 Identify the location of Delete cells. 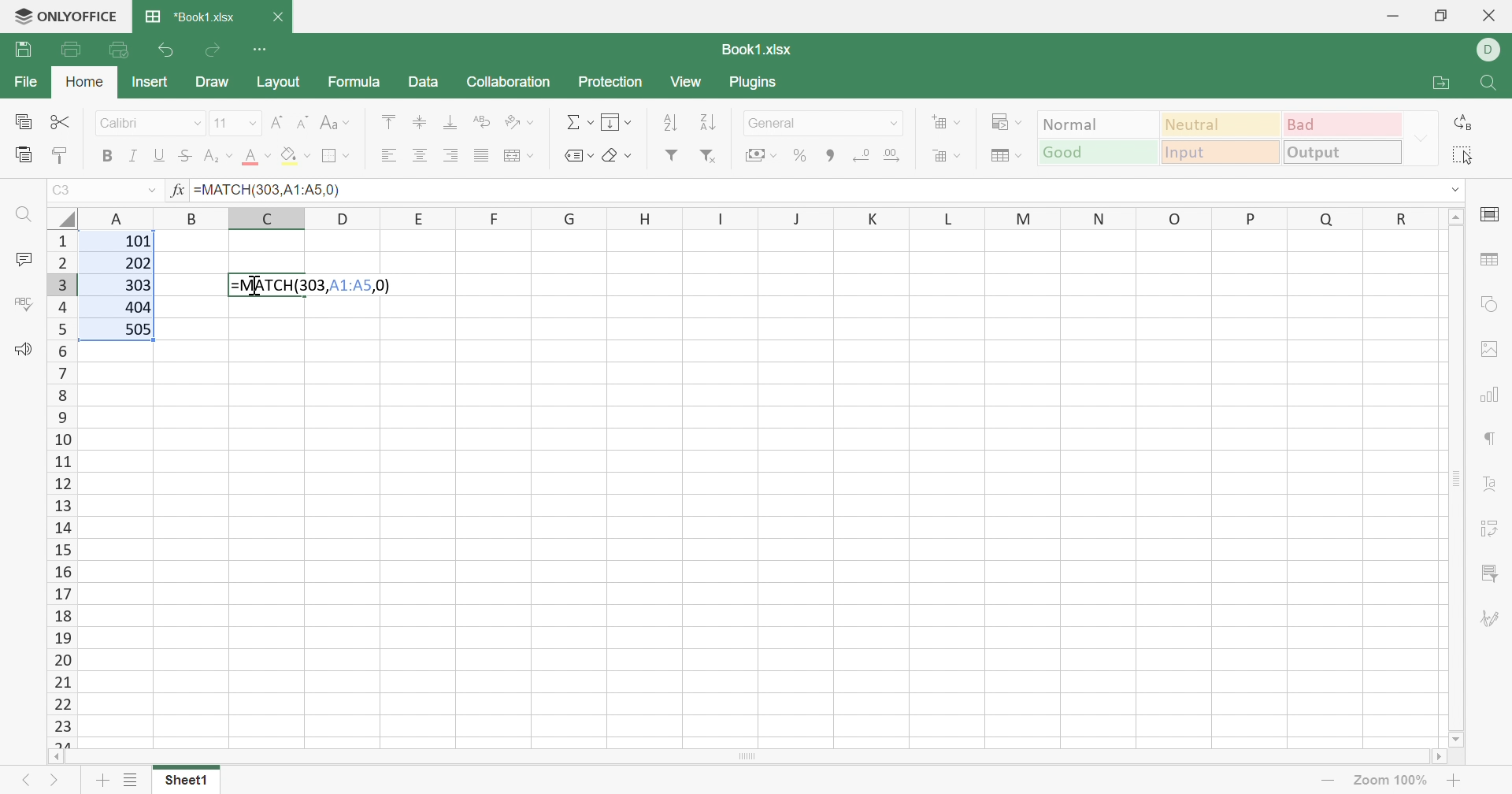
(947, 156).